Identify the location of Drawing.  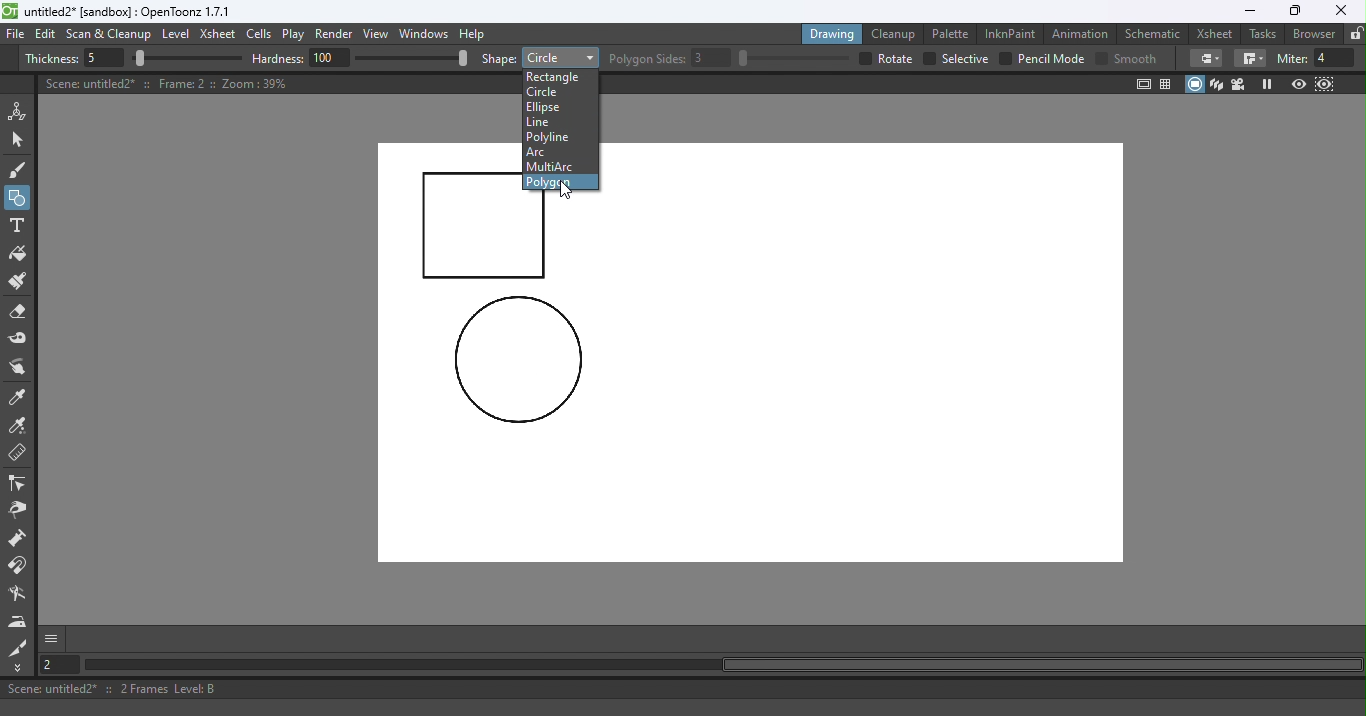
(834, 33).